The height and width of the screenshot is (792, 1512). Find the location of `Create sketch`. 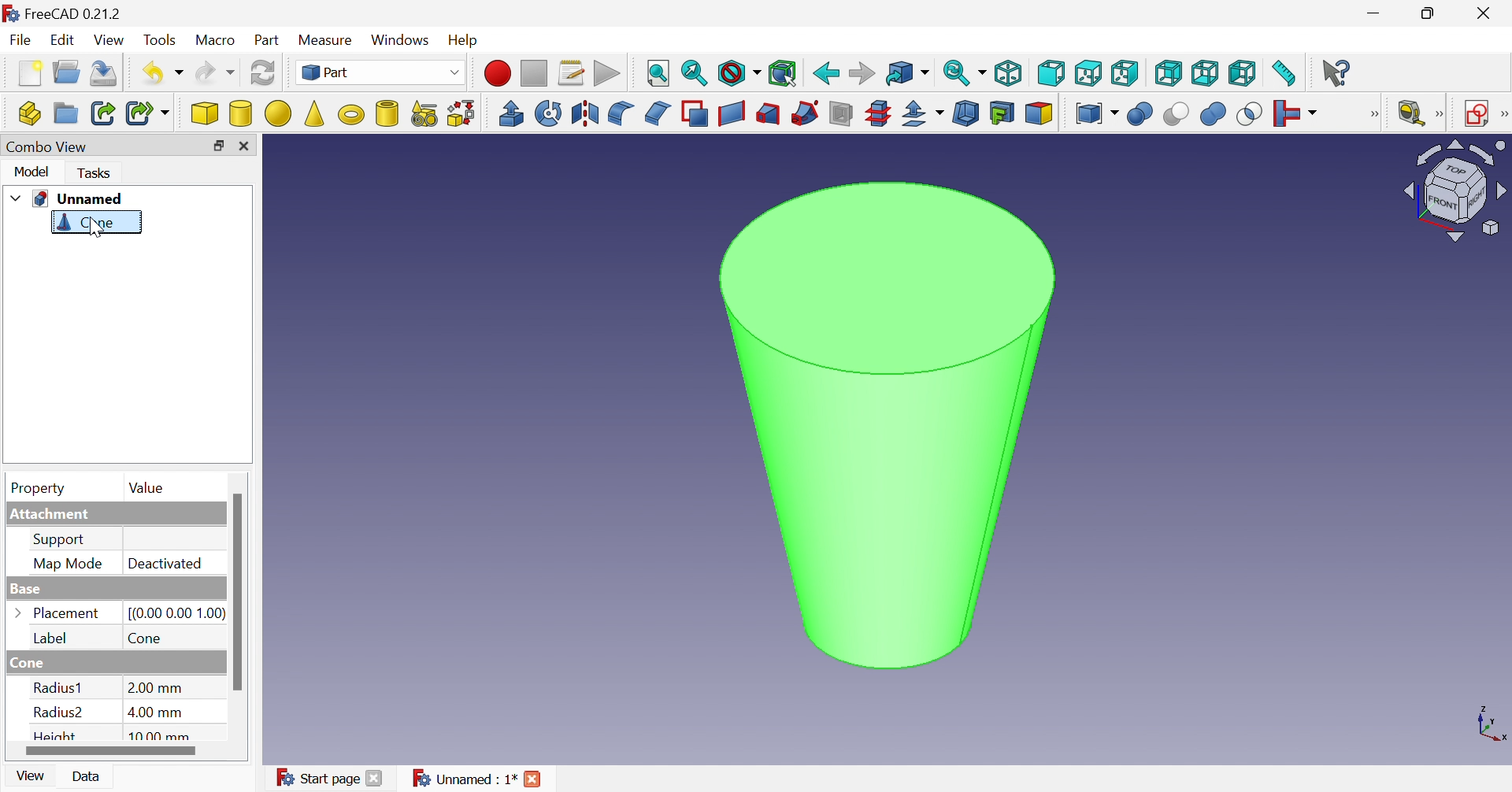

Create sketch is located at coordinates (1476, 115).